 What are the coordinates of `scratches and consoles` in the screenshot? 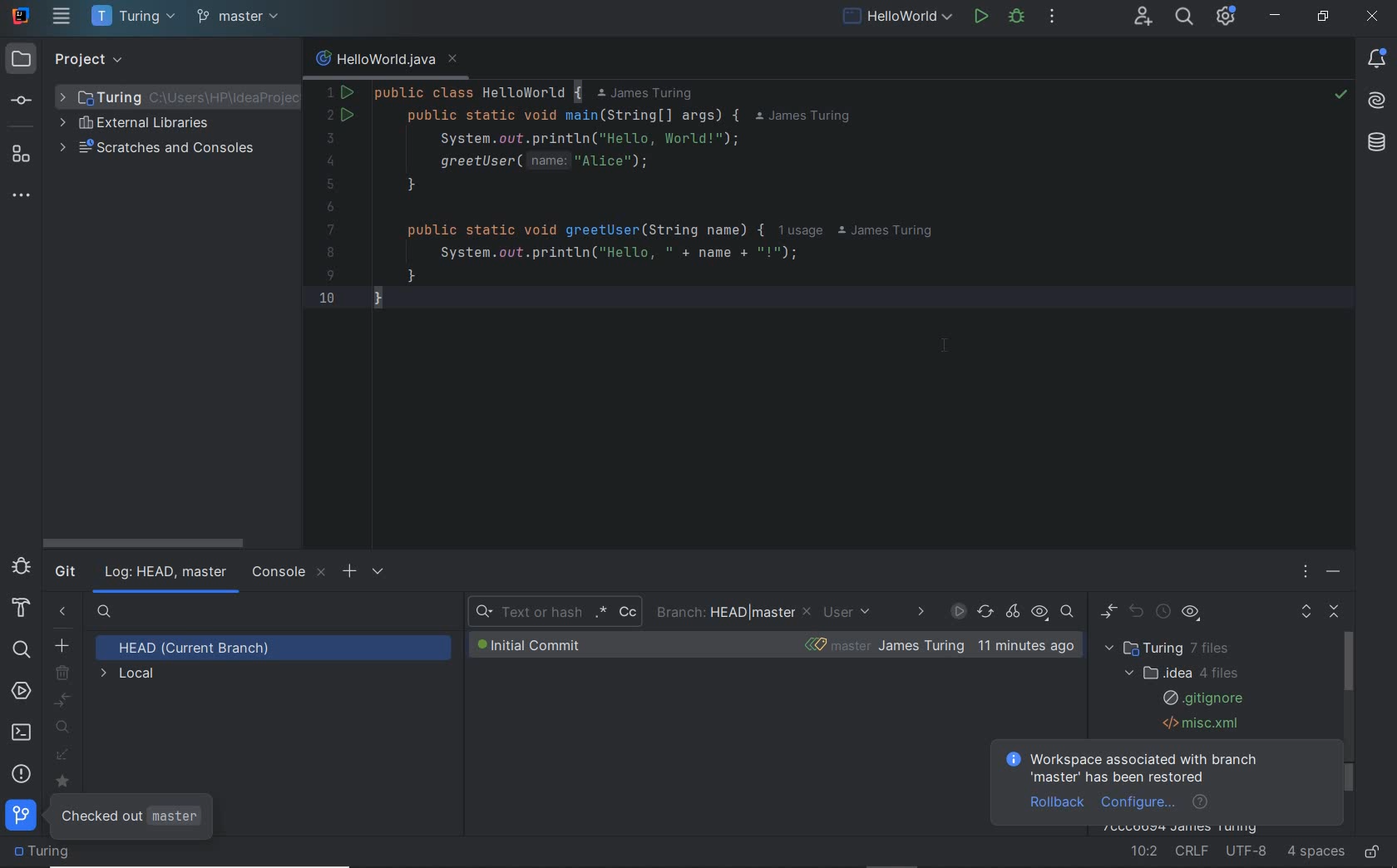 It's located at (160, 149).